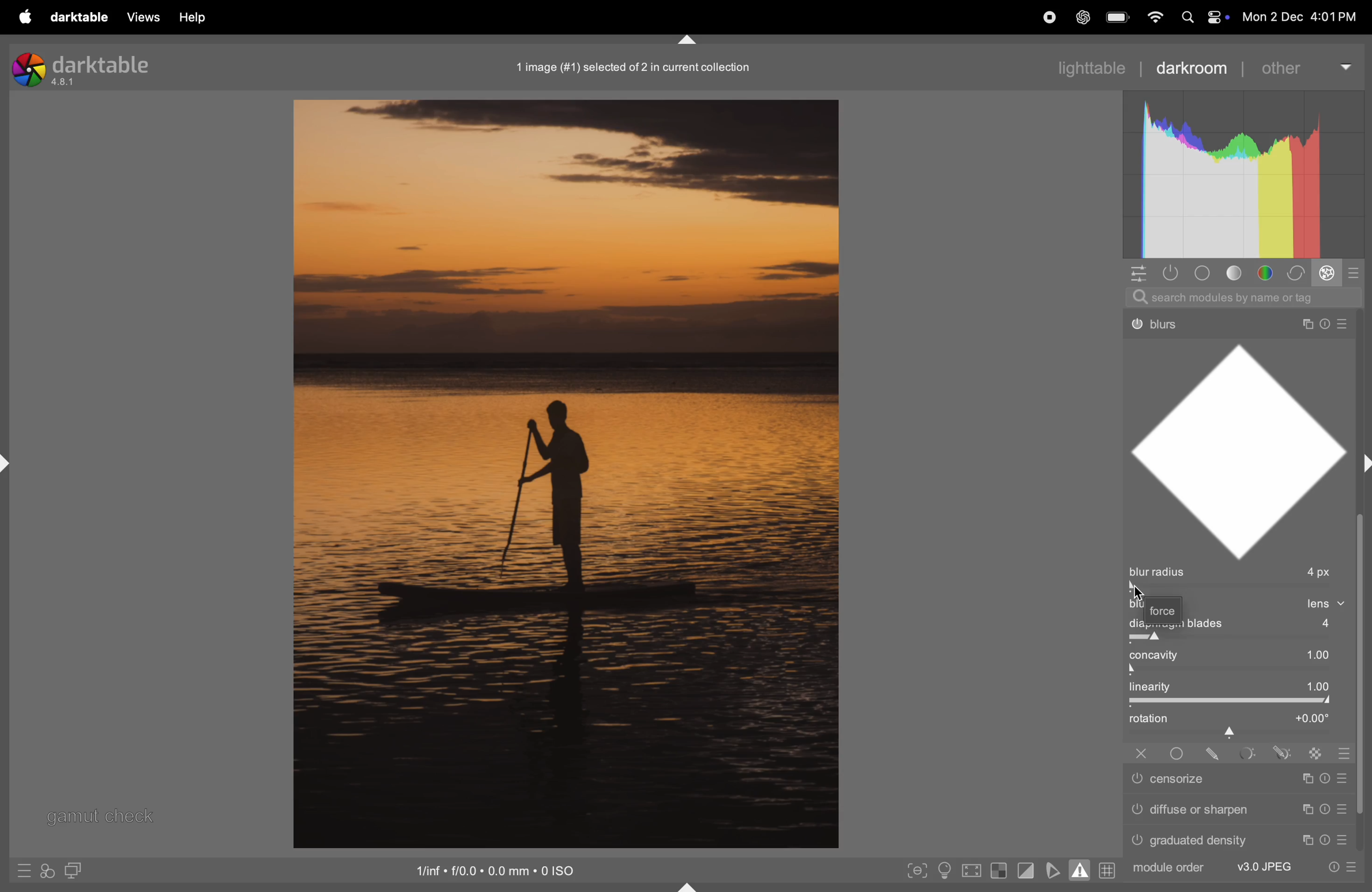 The width and height of the screenshot is (1372, 892). I want to click on blur, so click(1158, 605).